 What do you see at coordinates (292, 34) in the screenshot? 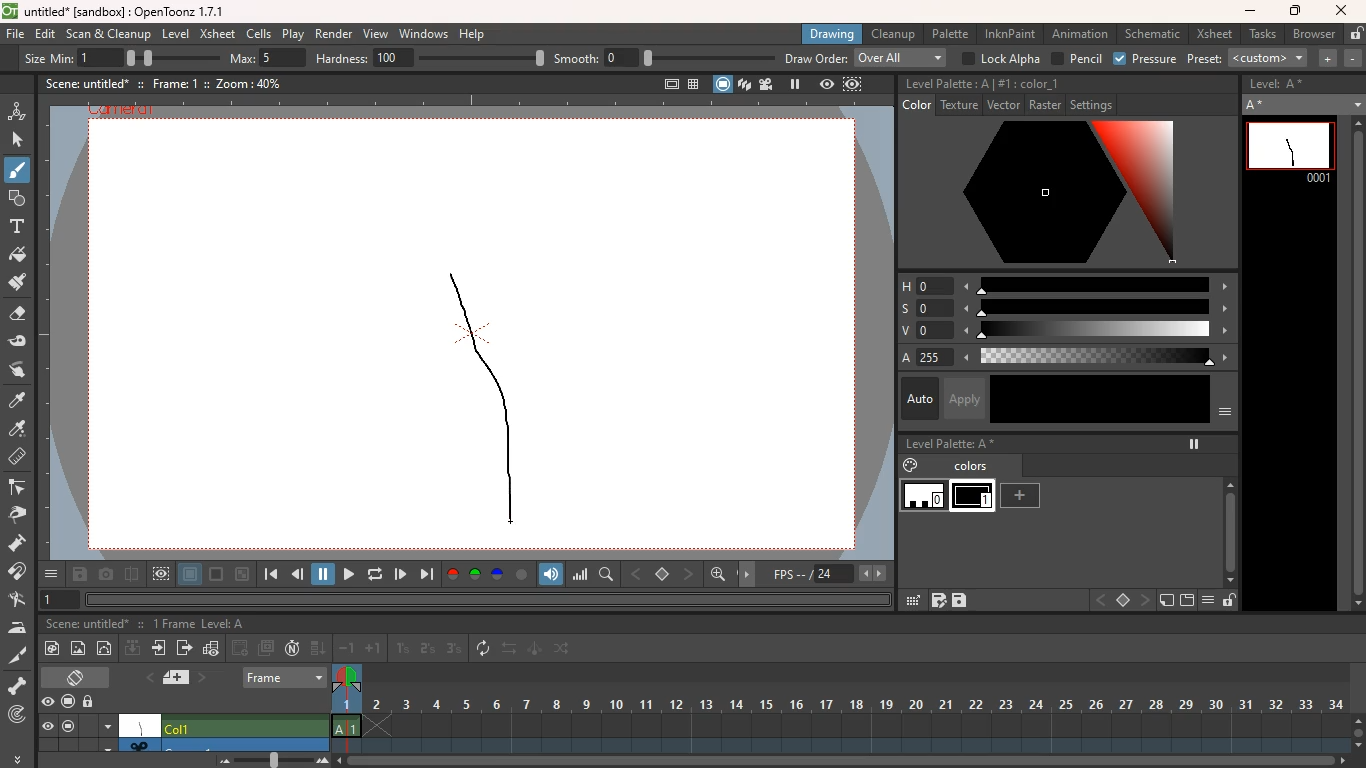
I see `play` at bounding box center [292, 34].